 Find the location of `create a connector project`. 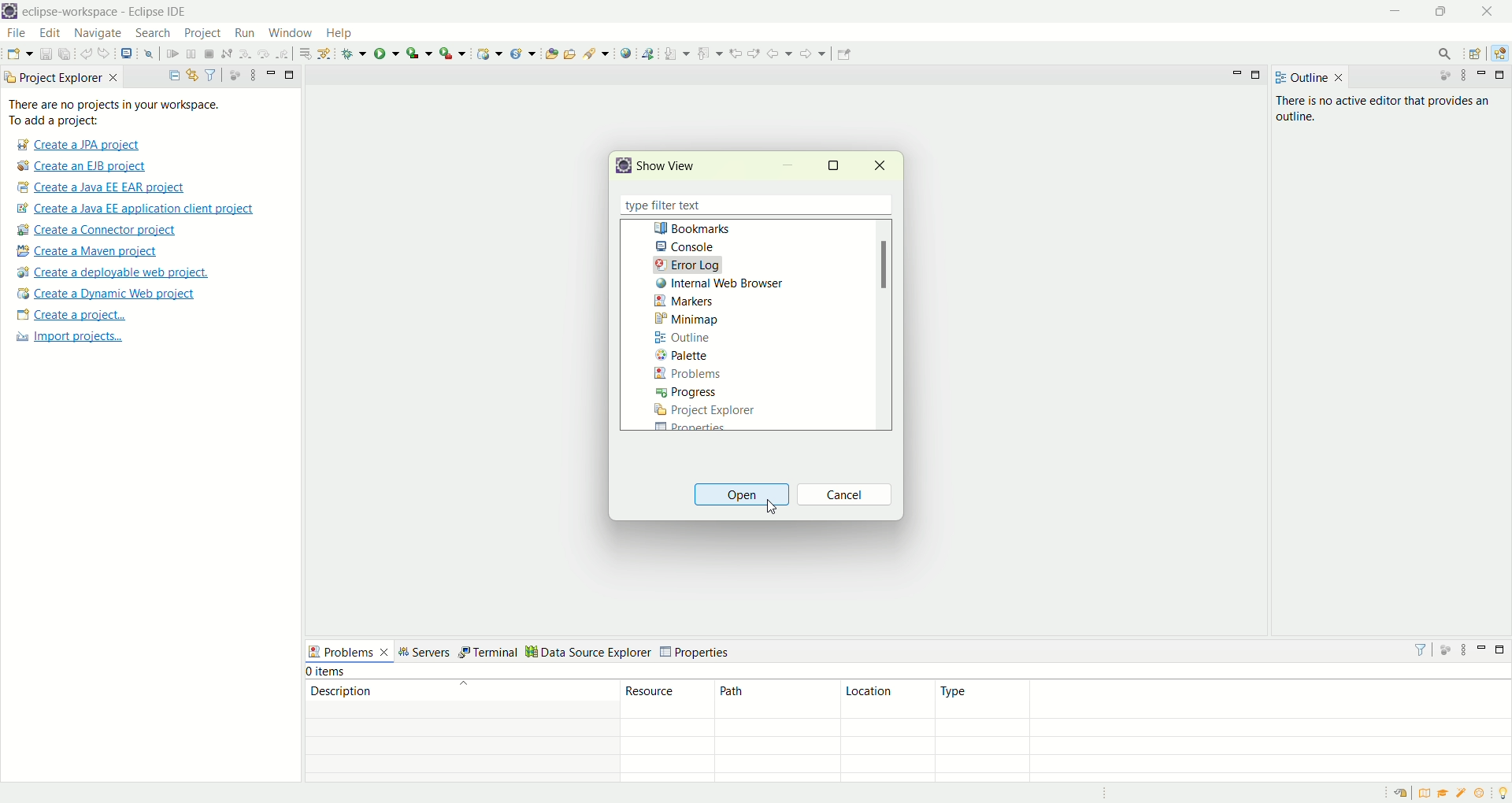

create a connector project is located at coordinates (98, 231).